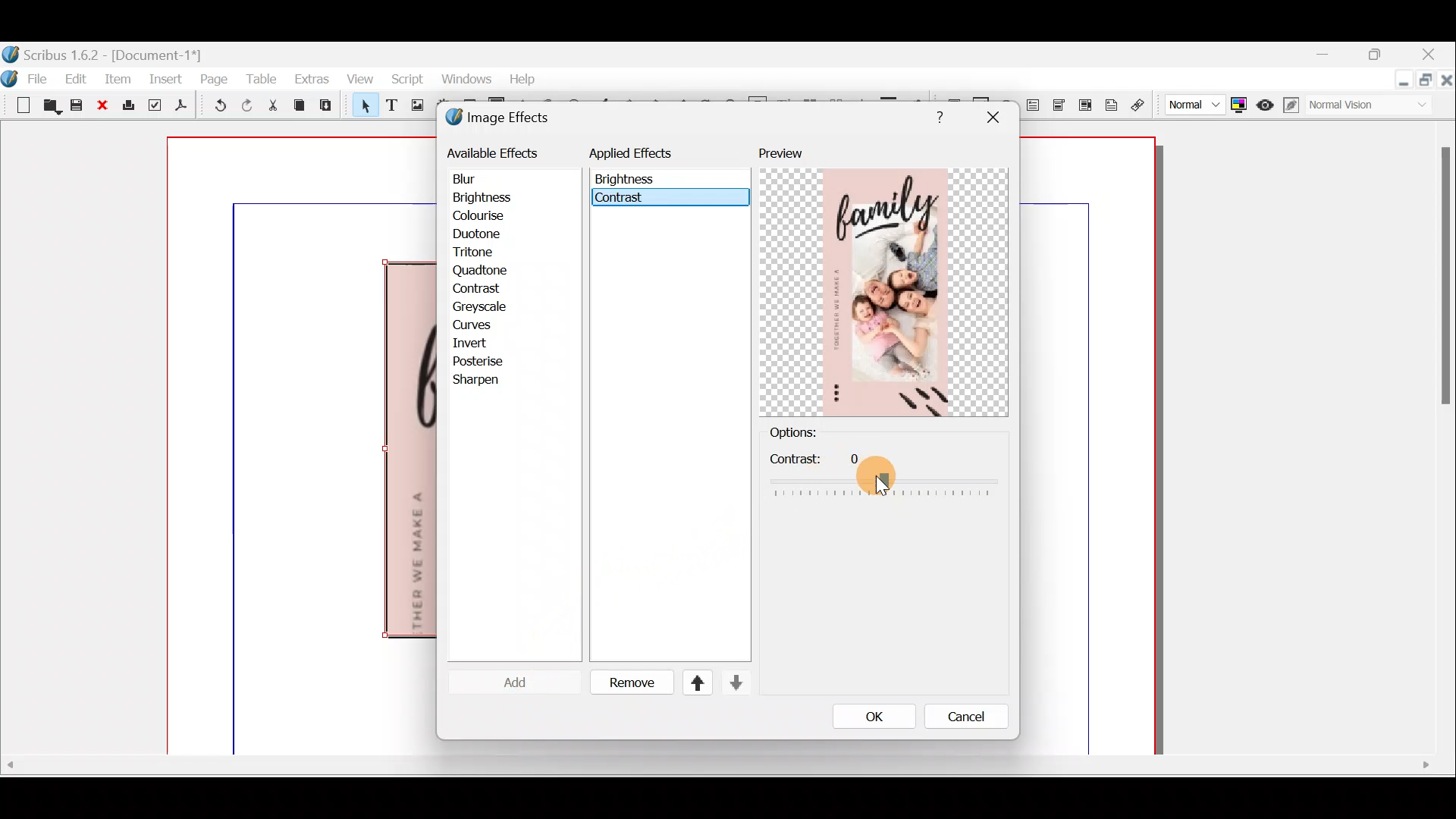 This screenshot has width=1456, height=819. Describe the element at coordinates (1085, 103) in the screenshot. I see `PDF List box` at that location.